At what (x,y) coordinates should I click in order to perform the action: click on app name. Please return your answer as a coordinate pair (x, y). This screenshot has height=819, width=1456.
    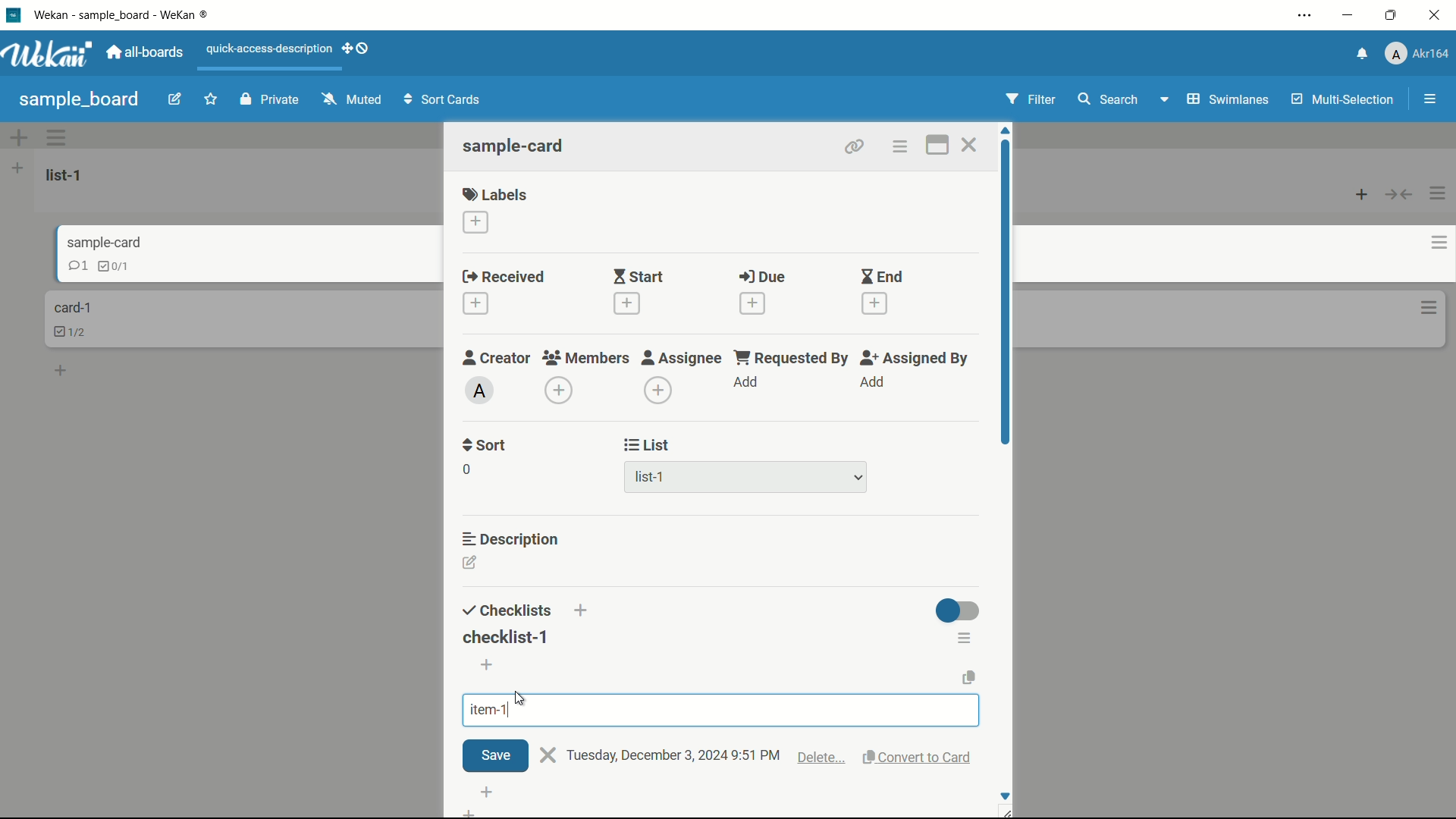
    Looking at the image, I should click on (120, 14).